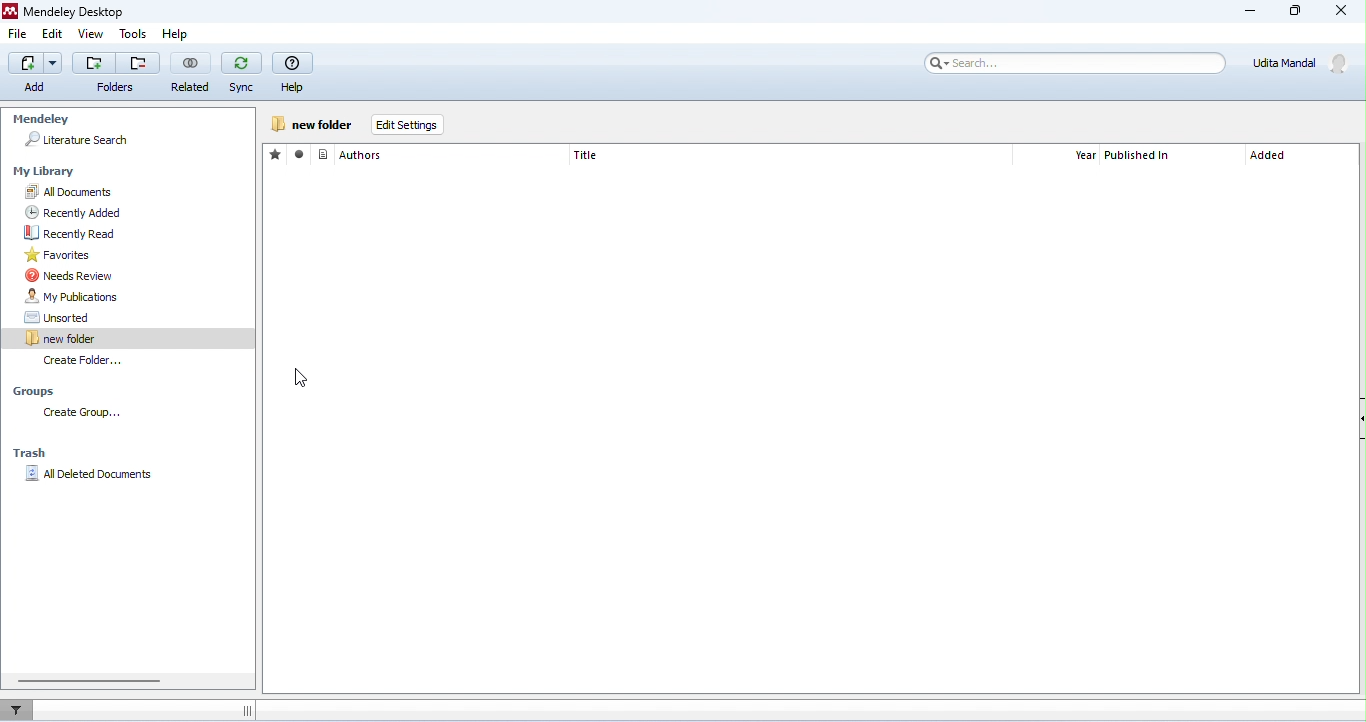  What do you see at coordinates (77, 140) in the screenshot?
I see `literature search` at bounding box center [77, 140].